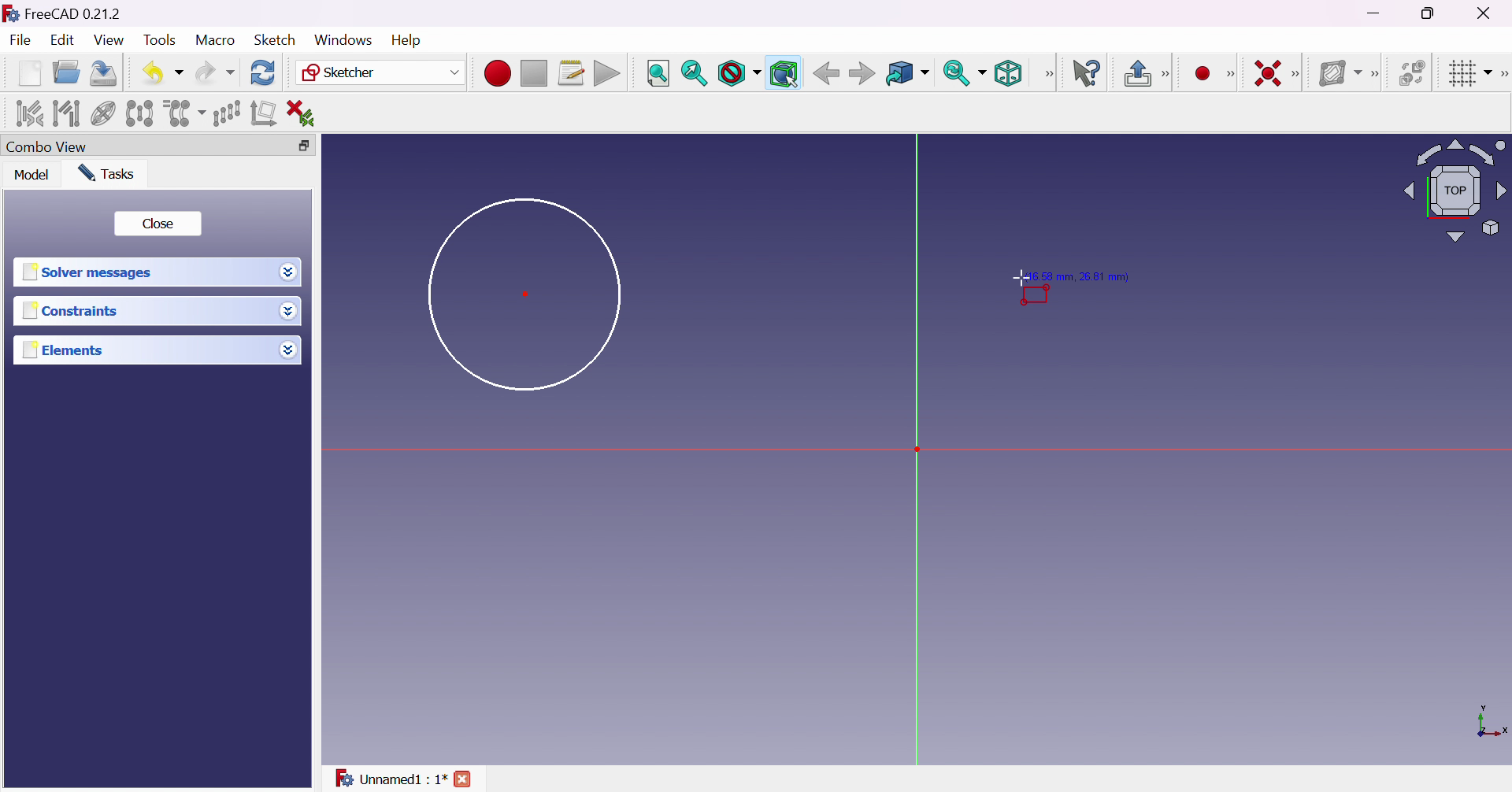 Image resolution: width=1512 pixels, height=792 pixels. I want to click on Forward, so click(862, 75).